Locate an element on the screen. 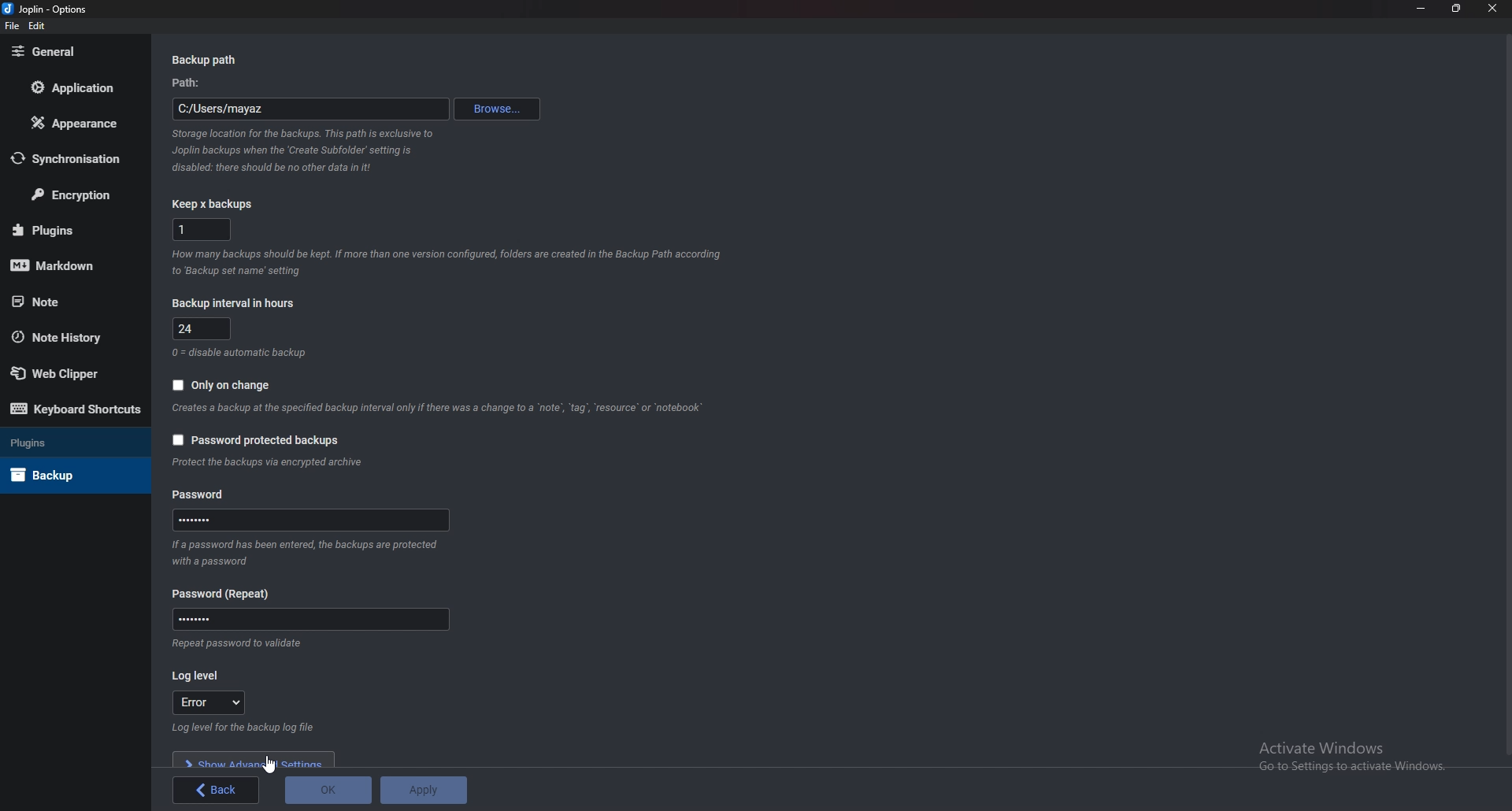 The width and height of the screenshot is (1512, 811). Minimize is located at coordinates (1423, 8).